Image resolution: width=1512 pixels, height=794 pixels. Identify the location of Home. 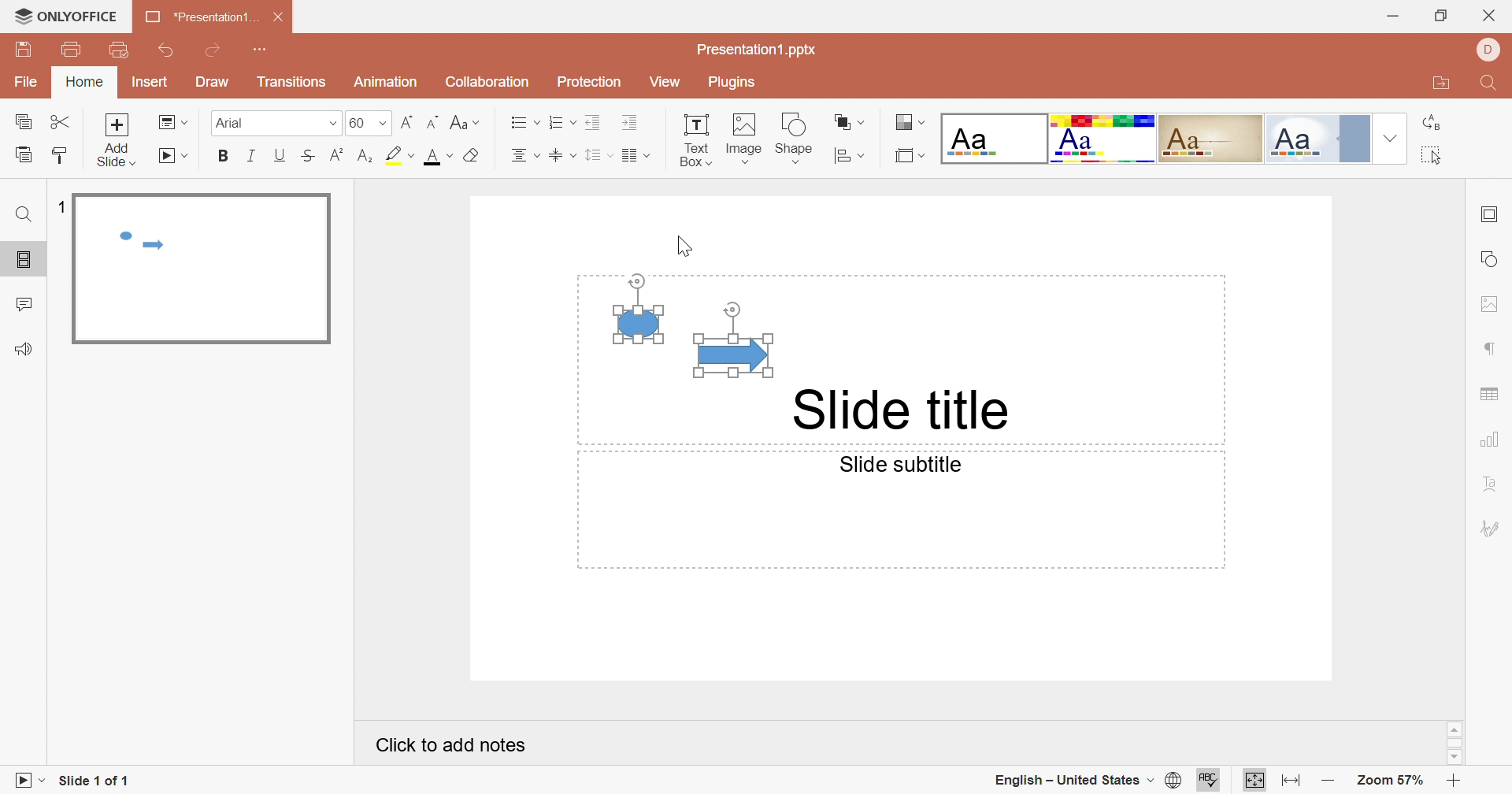
(87, 84).